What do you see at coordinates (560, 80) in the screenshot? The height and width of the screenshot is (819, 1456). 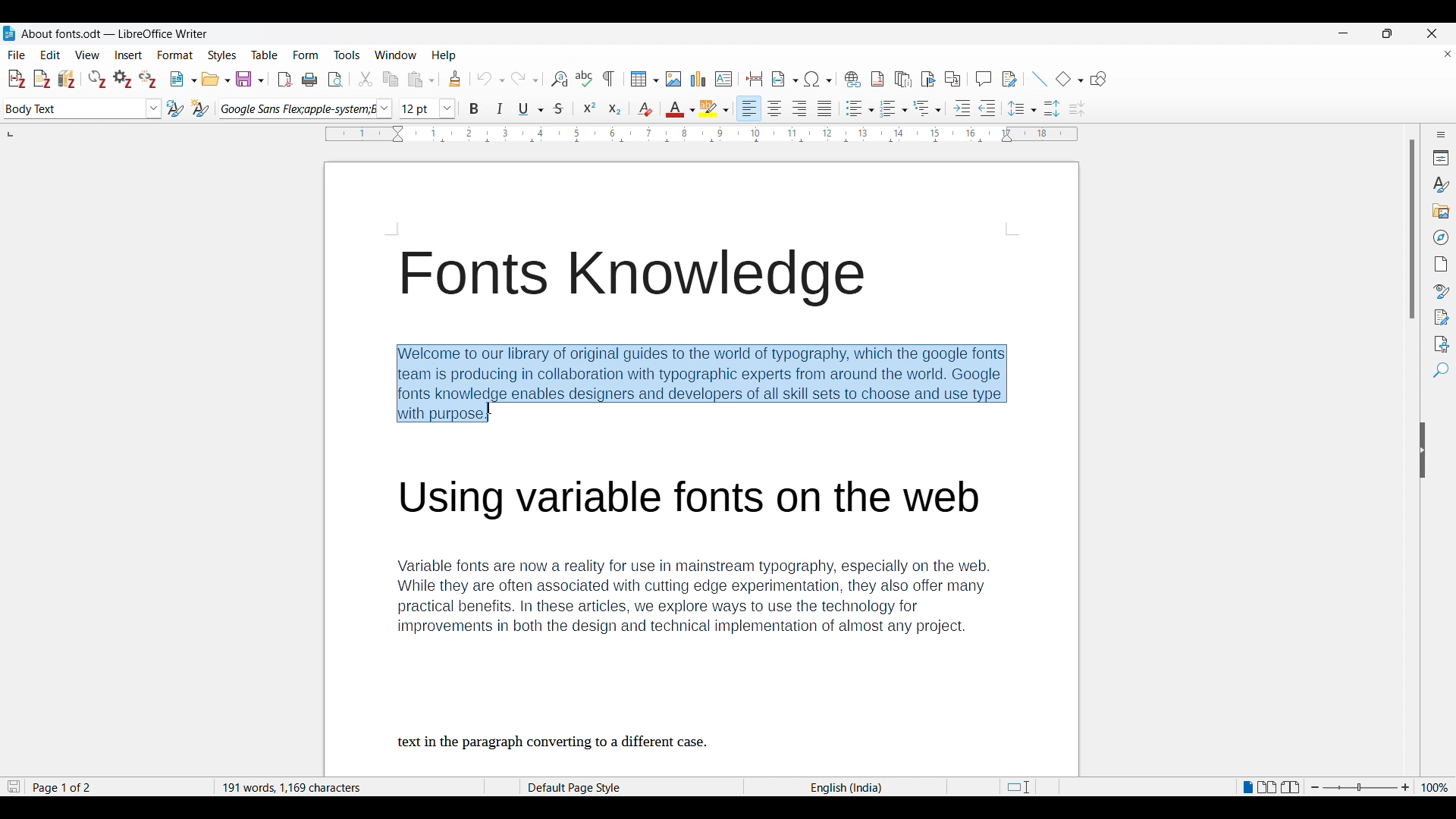 I see `Find and replace` at bounding box center [560, 80].